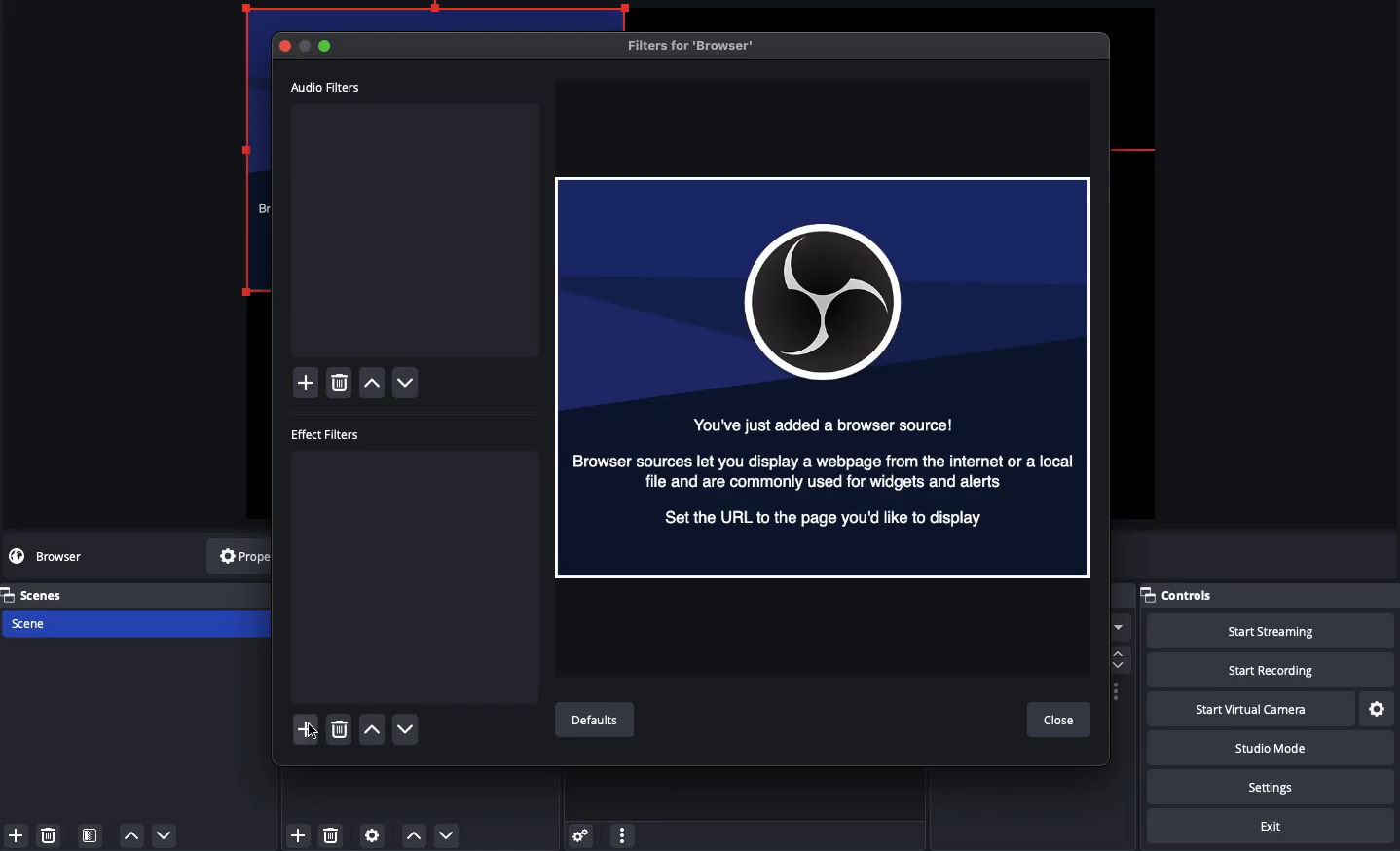 The width and height of the screenshot is (1400, 851). I want to click on Scene filter, so click(92, 835).